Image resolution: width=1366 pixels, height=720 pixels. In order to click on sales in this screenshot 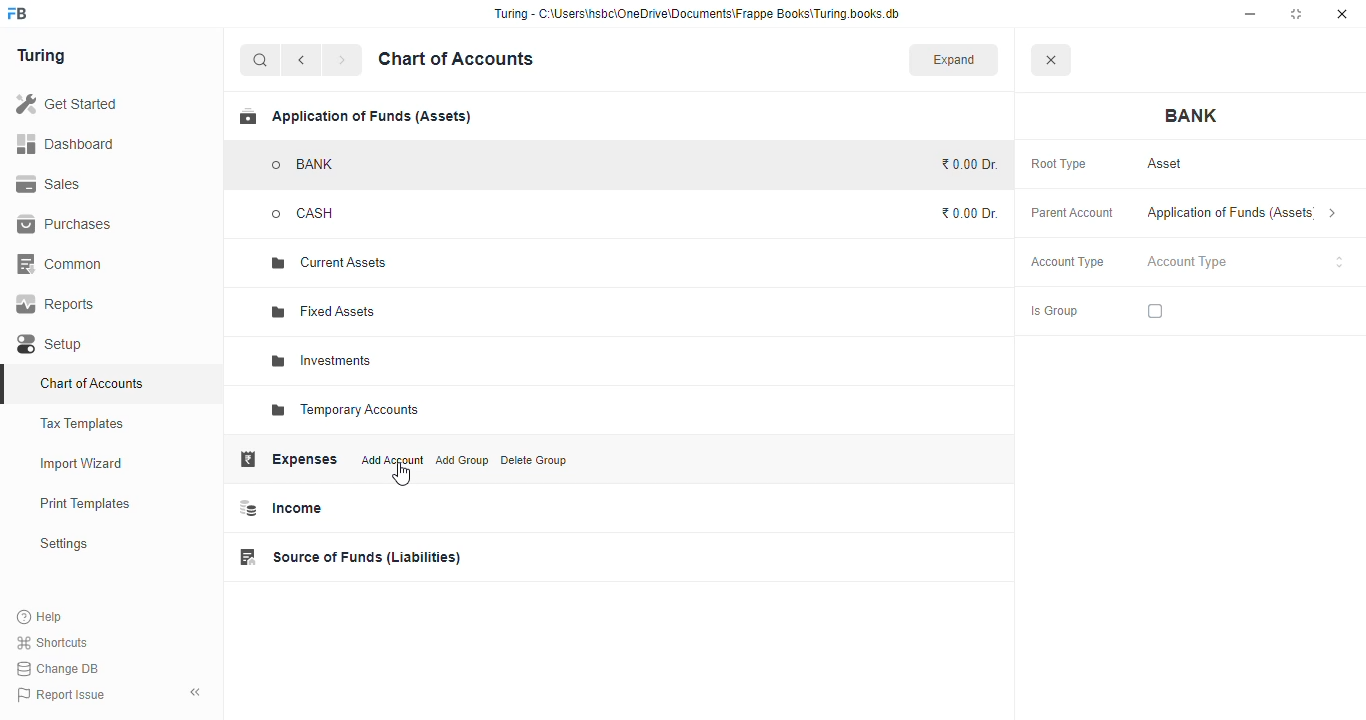, I will do `click(49, 184)`.